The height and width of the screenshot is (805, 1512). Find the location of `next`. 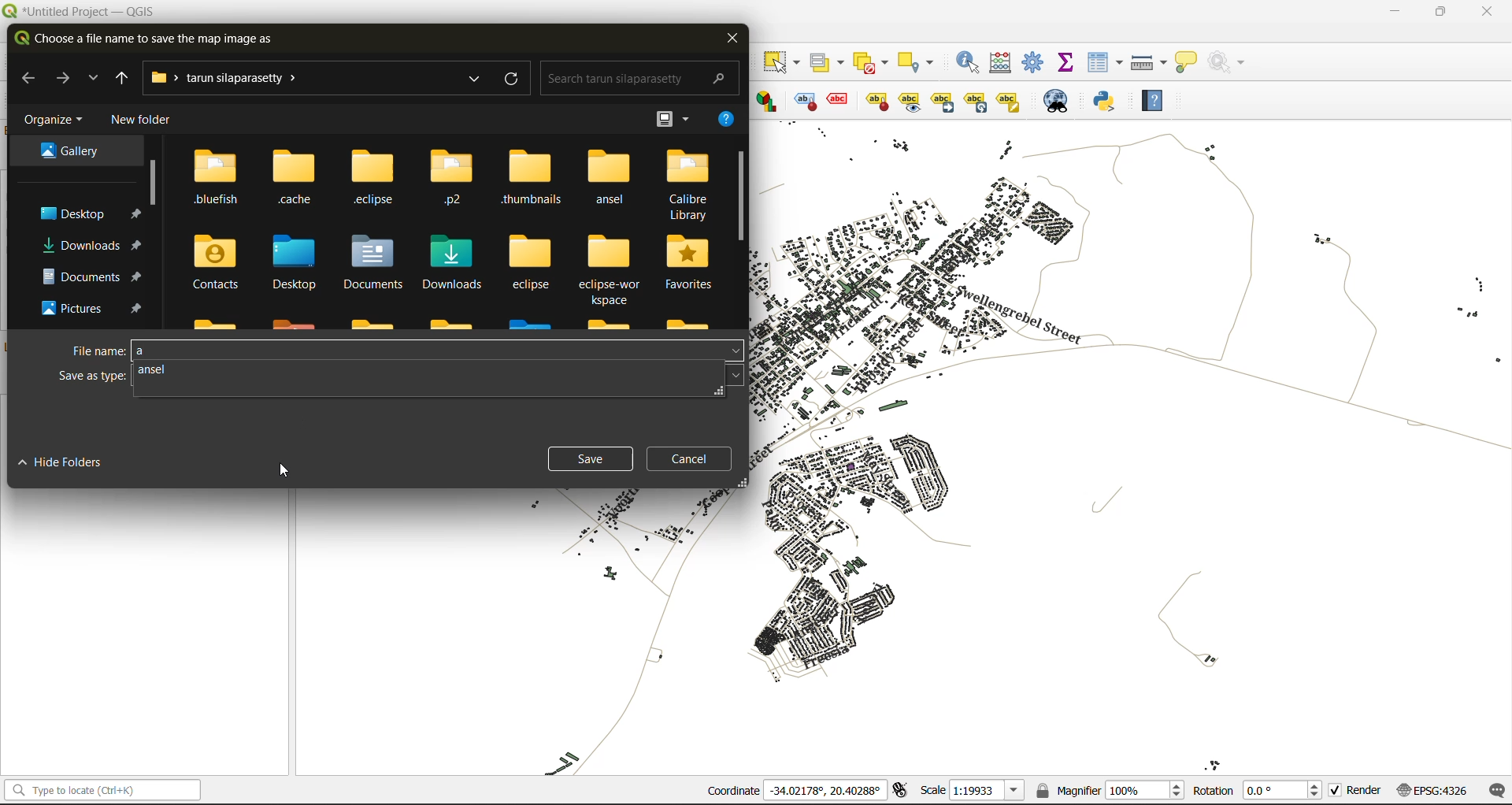

next is located at coordinates (66, 78).